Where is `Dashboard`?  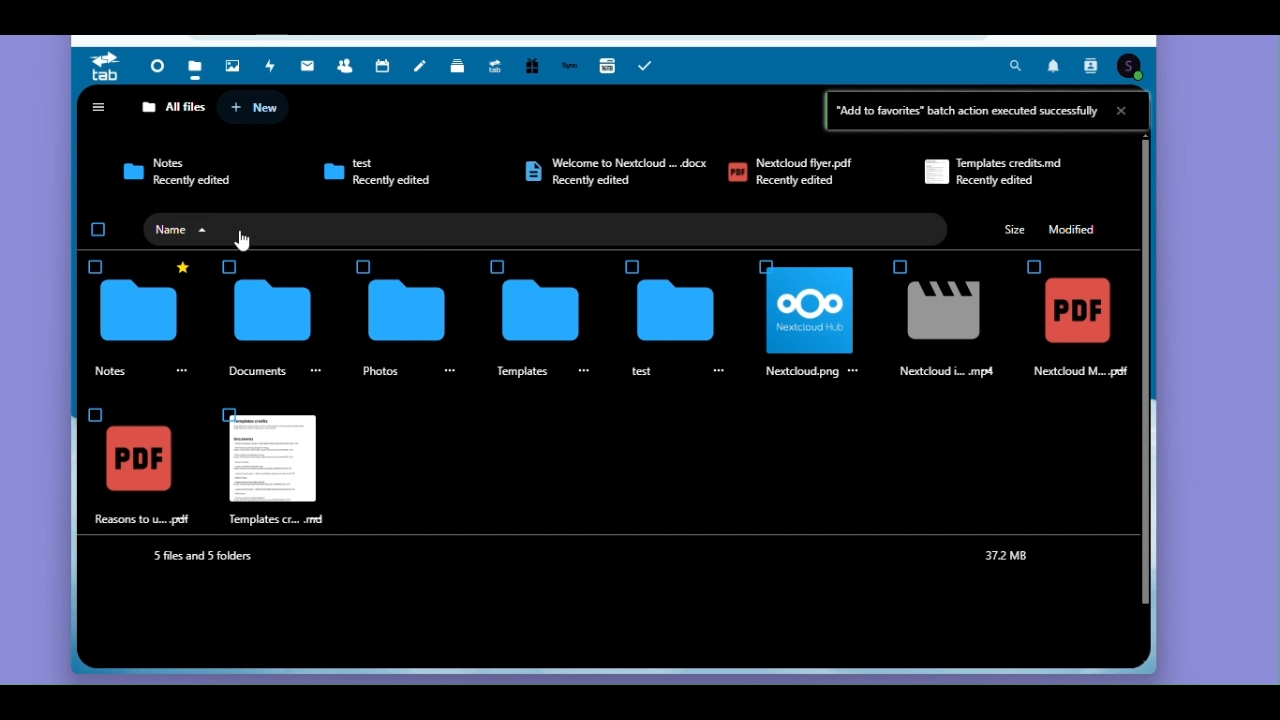
Dashboard is located at coordinates (157, 67).